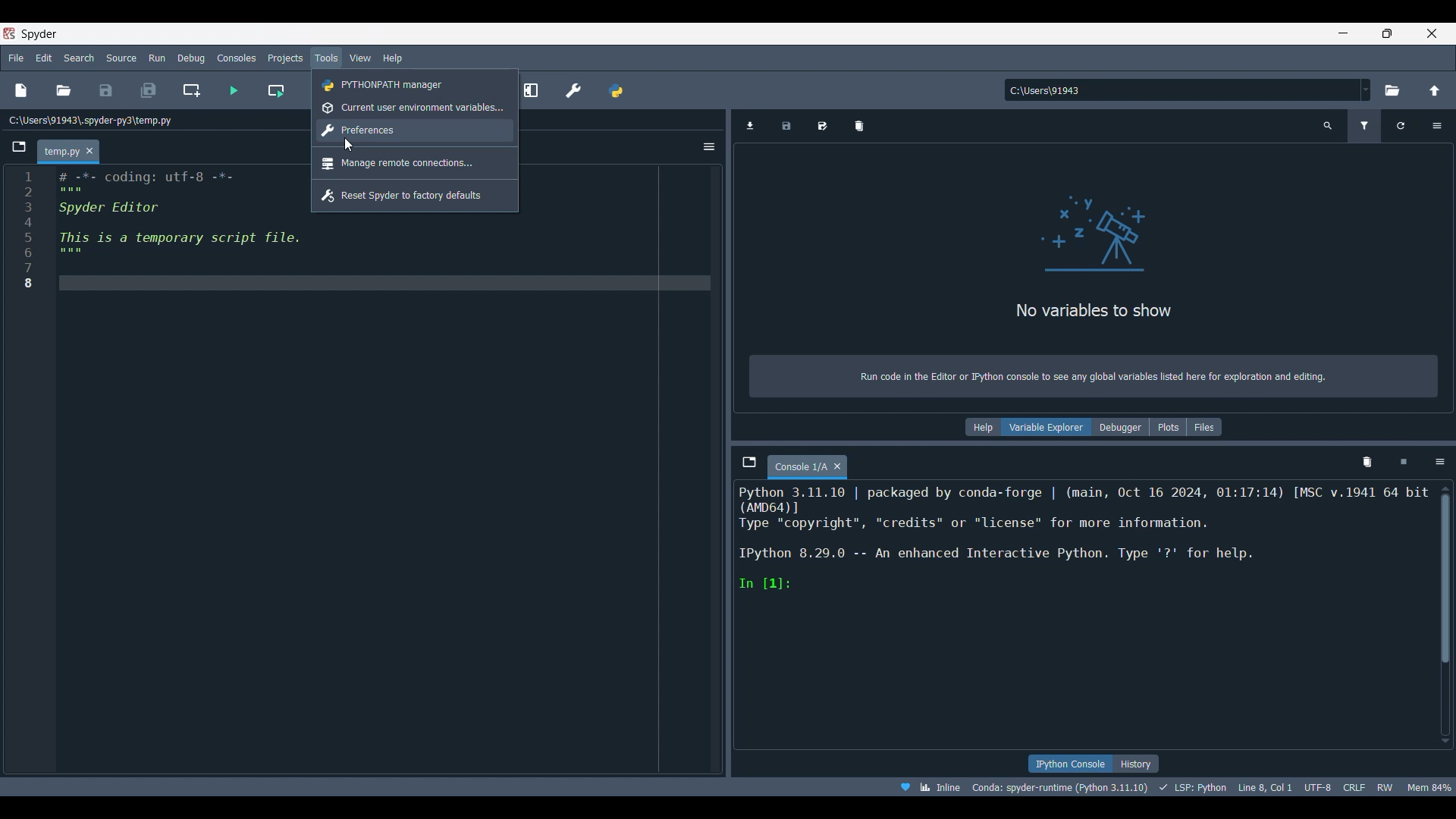 Image resolution: width=1456 pixels, height=819 pixels. I want to click on Maximize current pane, so click(531, 89).